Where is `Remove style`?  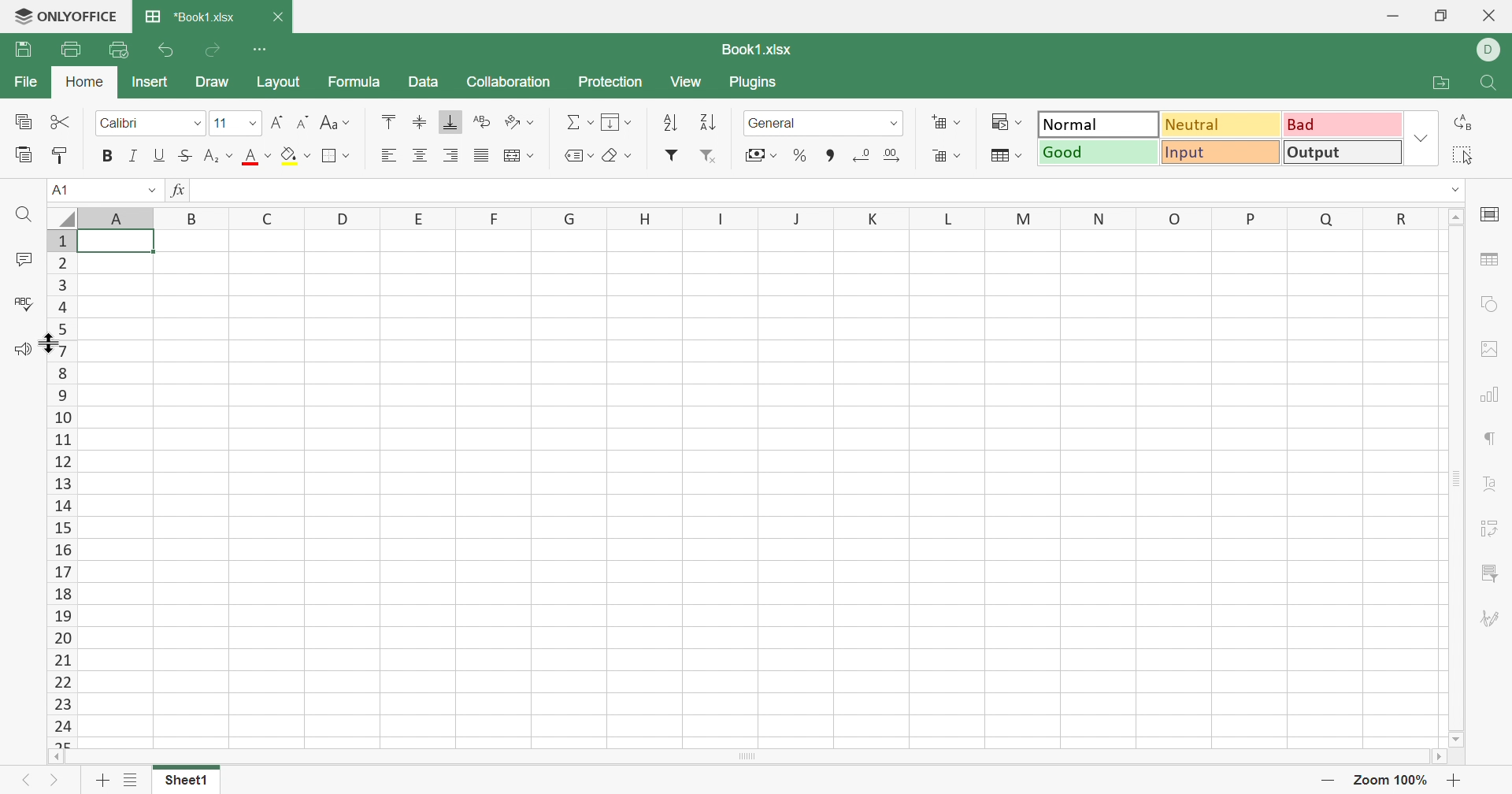 Remove style is located at coordinates (716, 157).